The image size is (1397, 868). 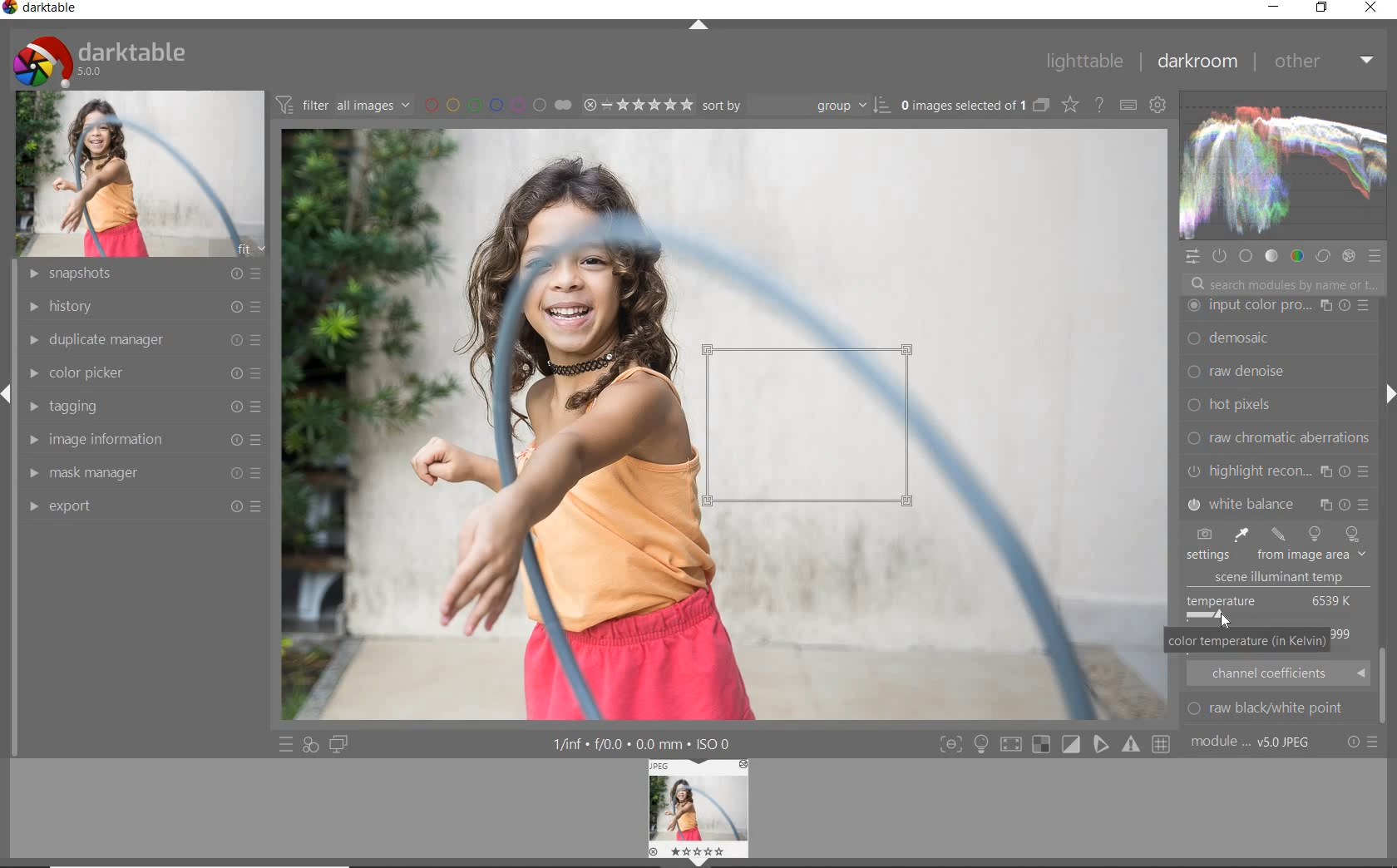 I want to click on reset or preset preference, so click(x=1363, y=745).